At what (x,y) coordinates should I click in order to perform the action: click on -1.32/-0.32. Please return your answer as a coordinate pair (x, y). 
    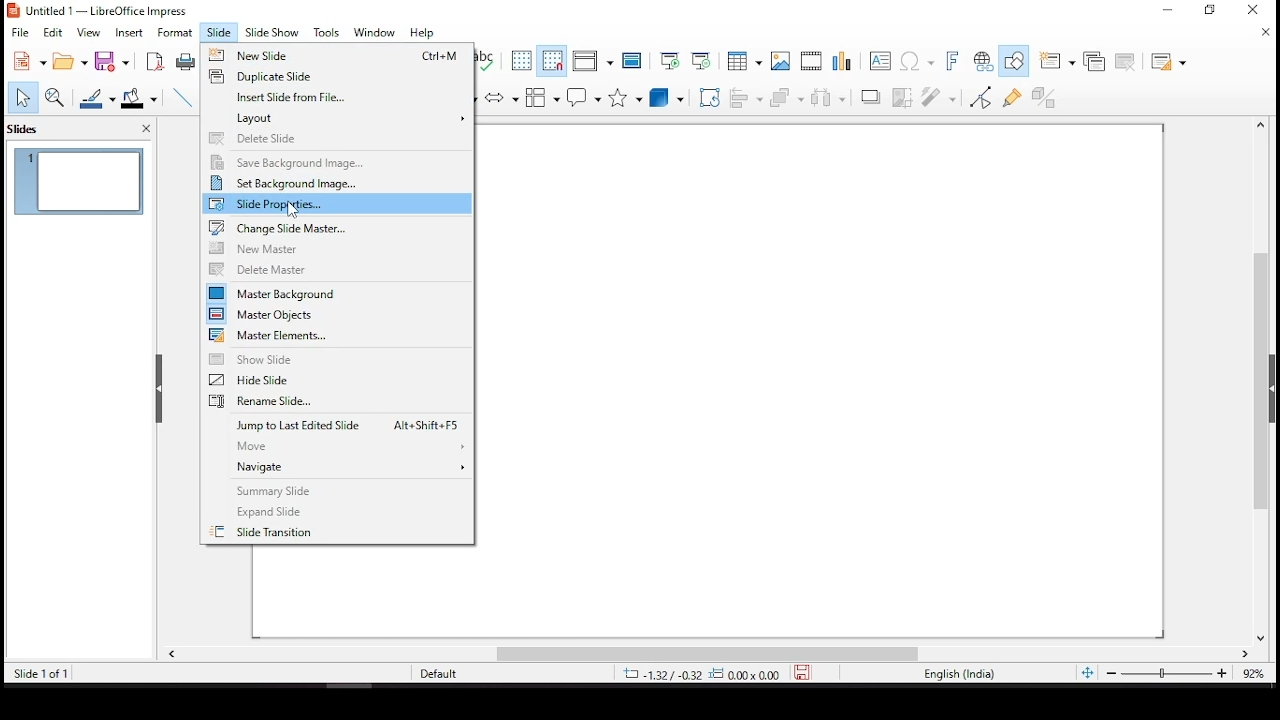
    Looking at the image, I should click on (660, 674).